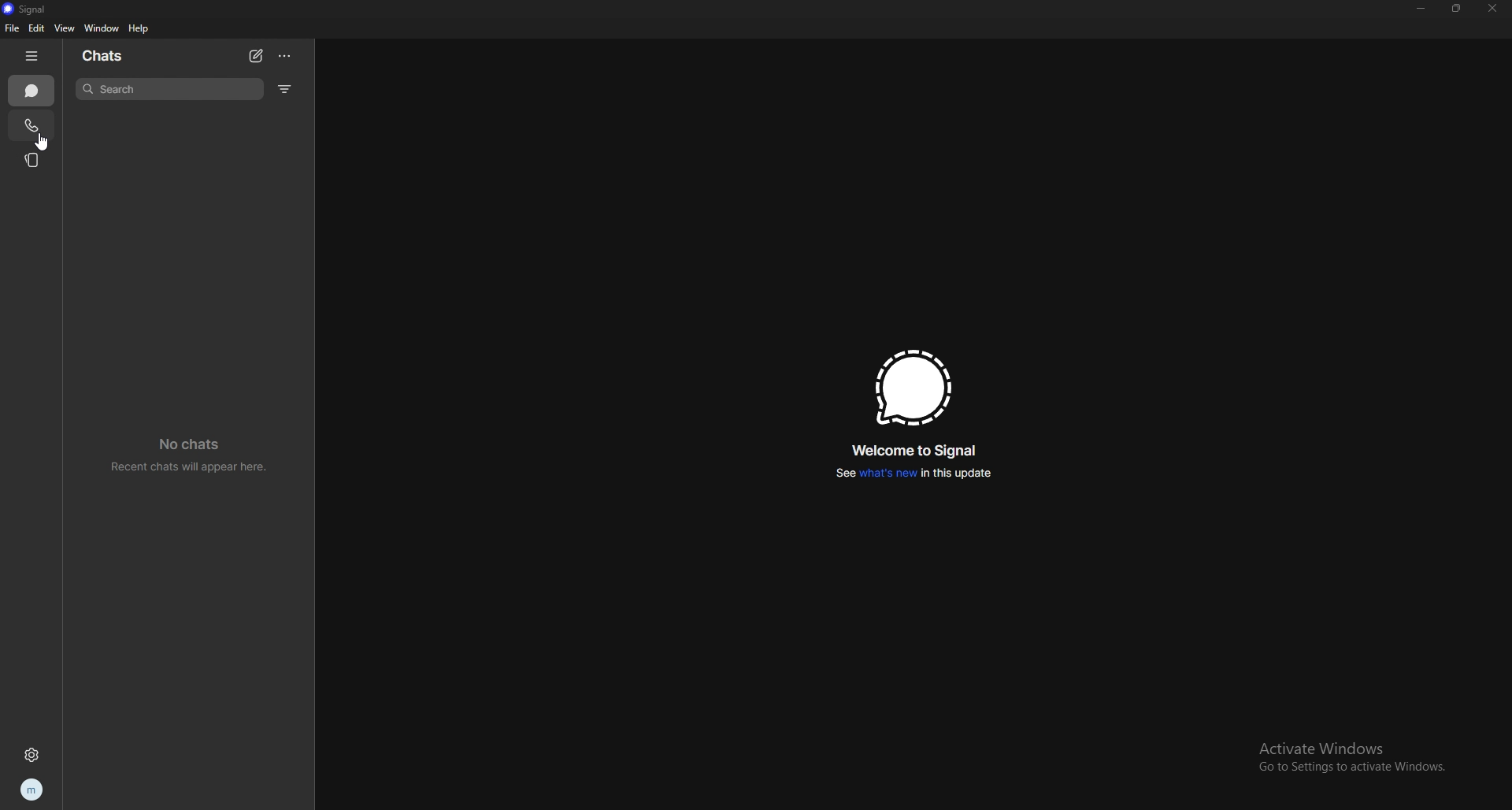  What do you see at coordinates (32, 125) in the screenshot?
I see `calls` at bounding box center [32, 125].